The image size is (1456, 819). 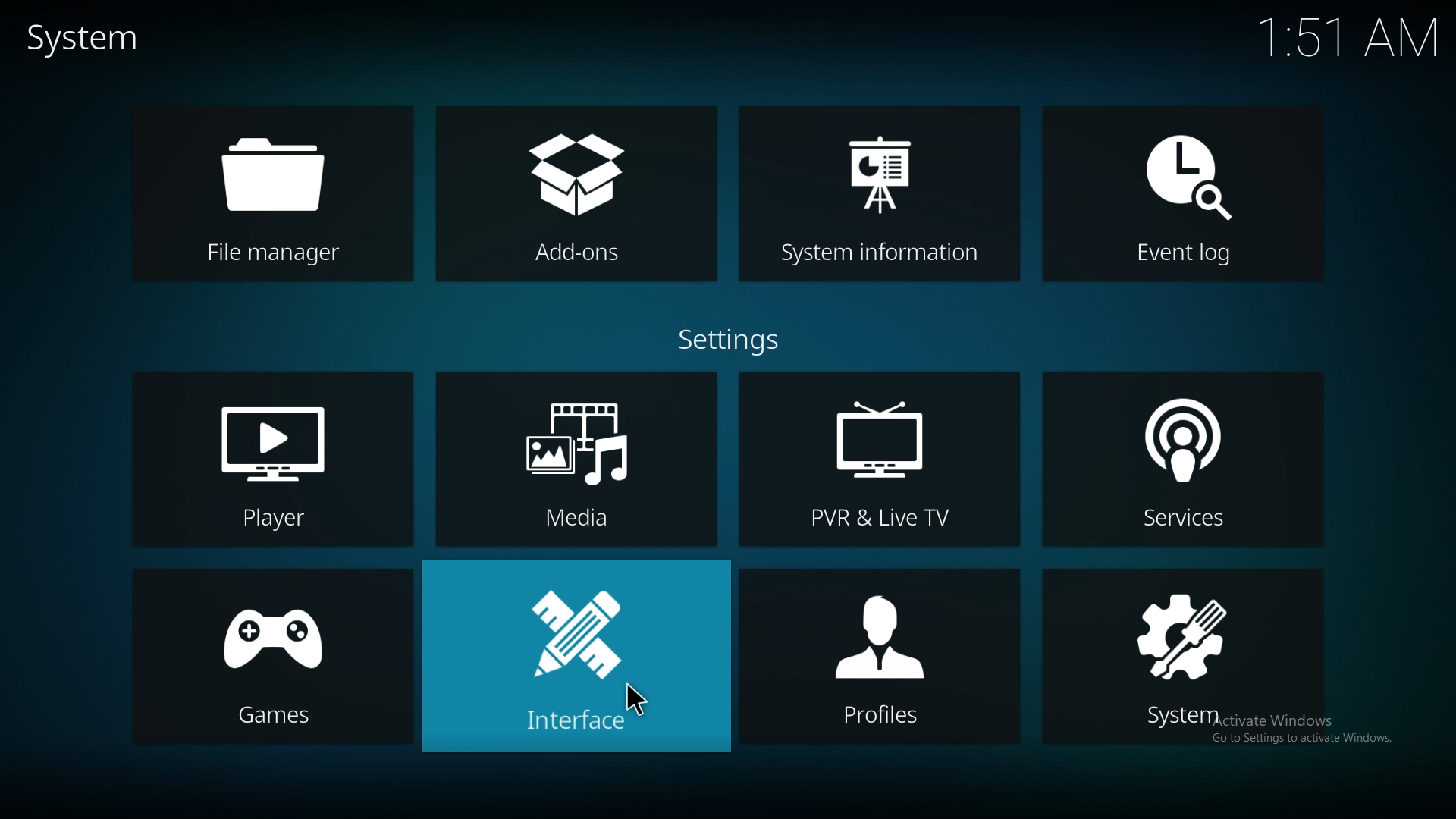 I want to click on event log, so click(x=1183, y=193).